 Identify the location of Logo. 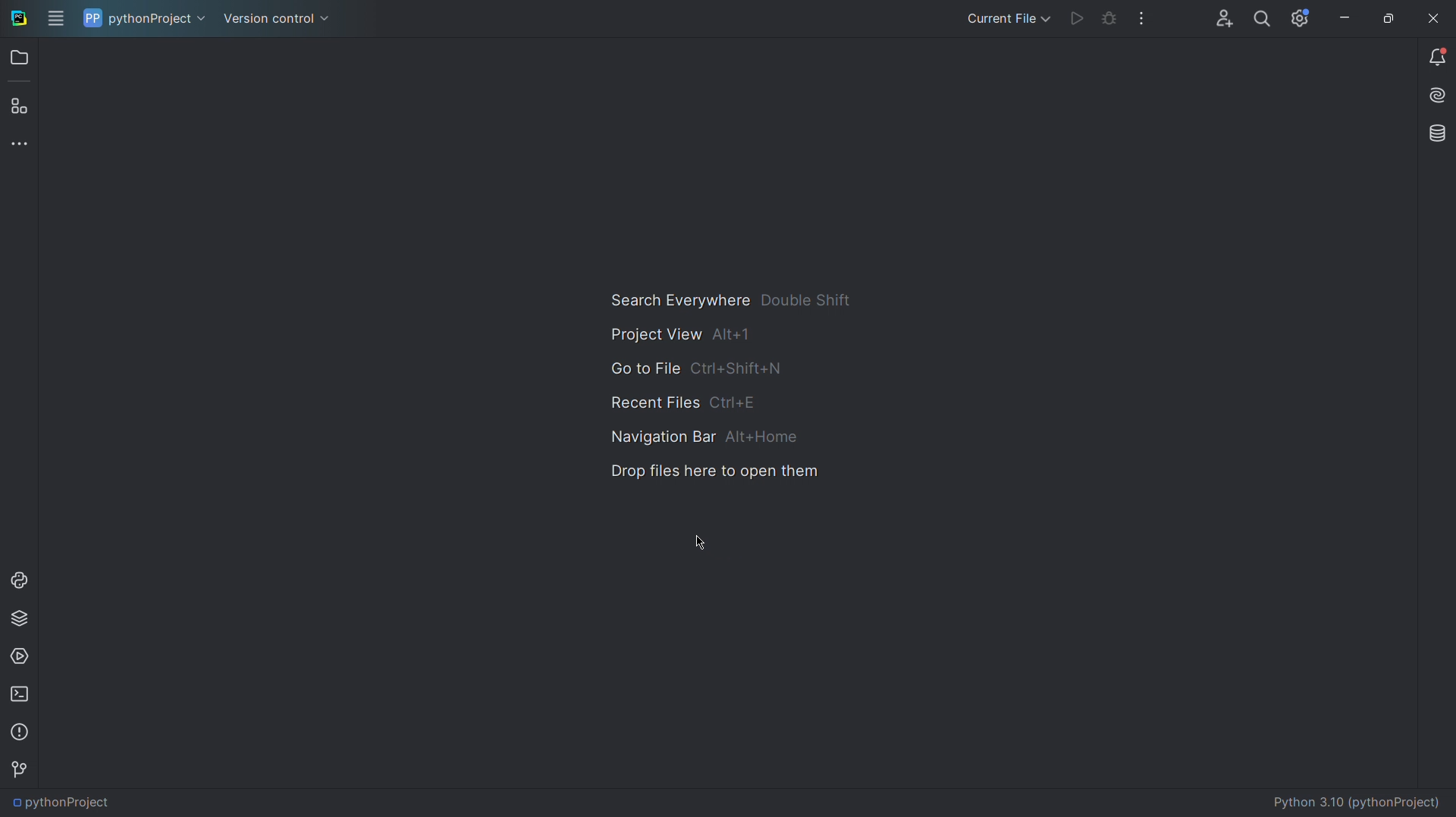
(17, 19).